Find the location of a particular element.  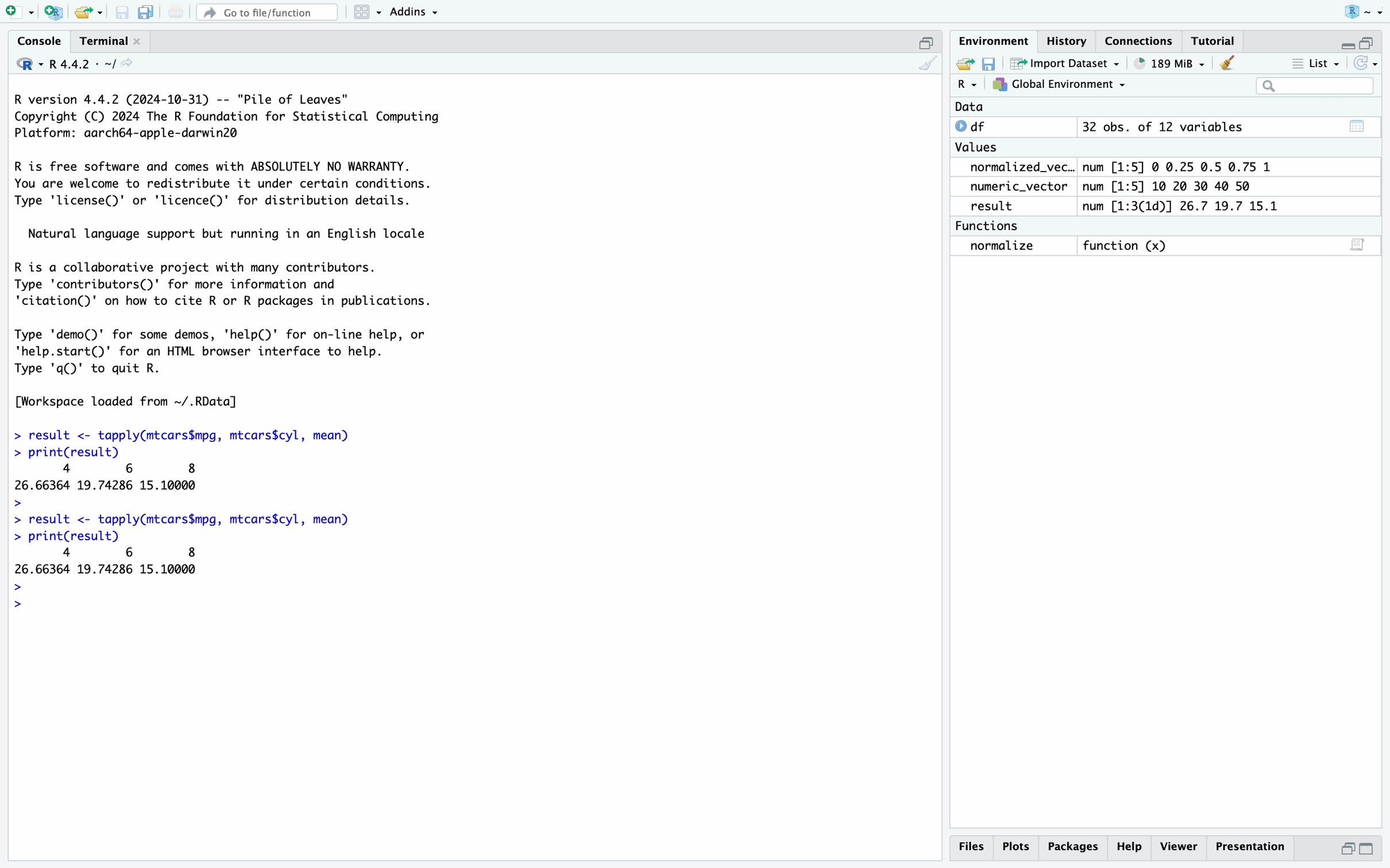

Open new file is located at coordinates (19, 12).